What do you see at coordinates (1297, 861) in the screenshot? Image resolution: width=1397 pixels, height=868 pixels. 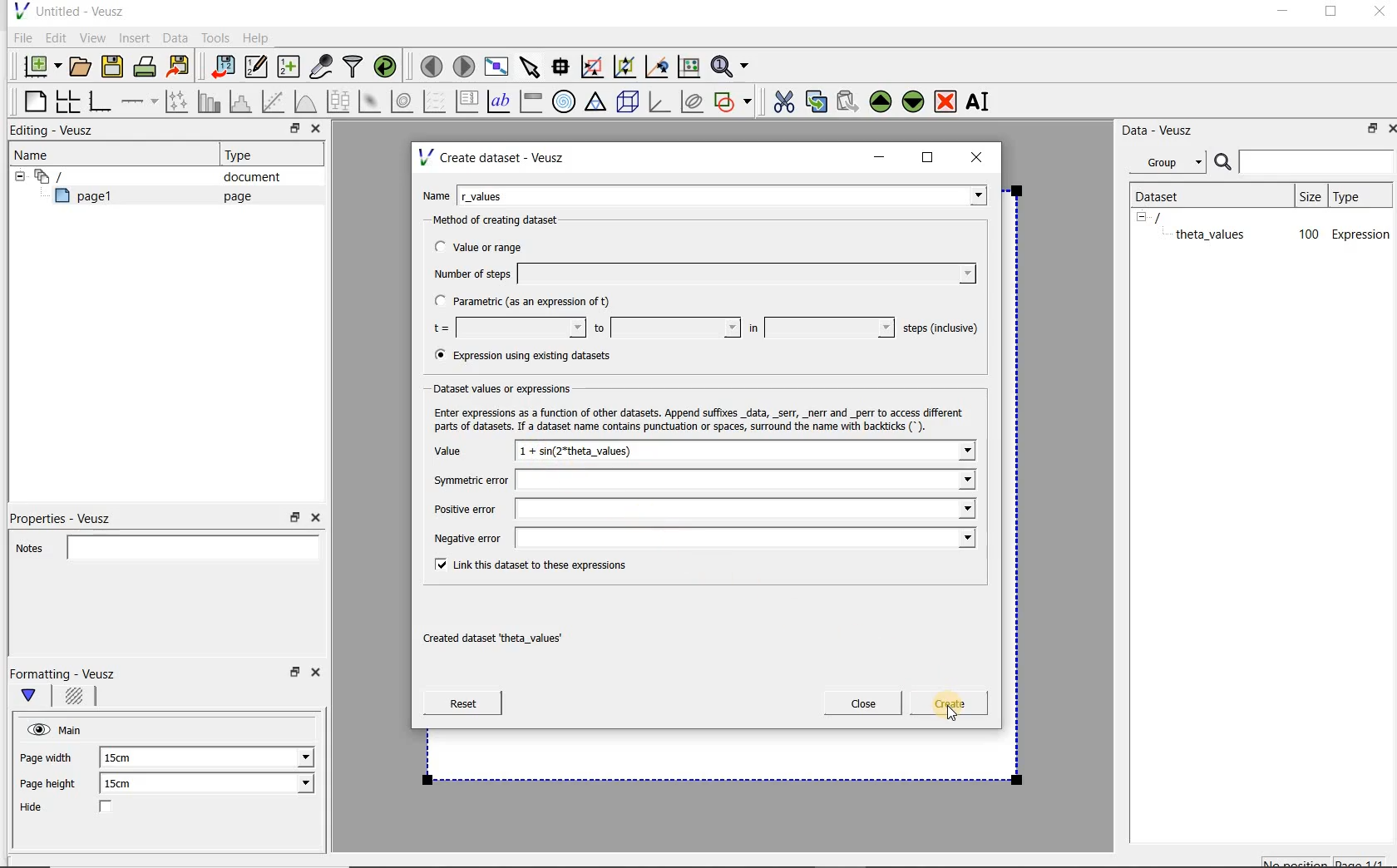 I see `No position` at bounding box center [1297, 861].